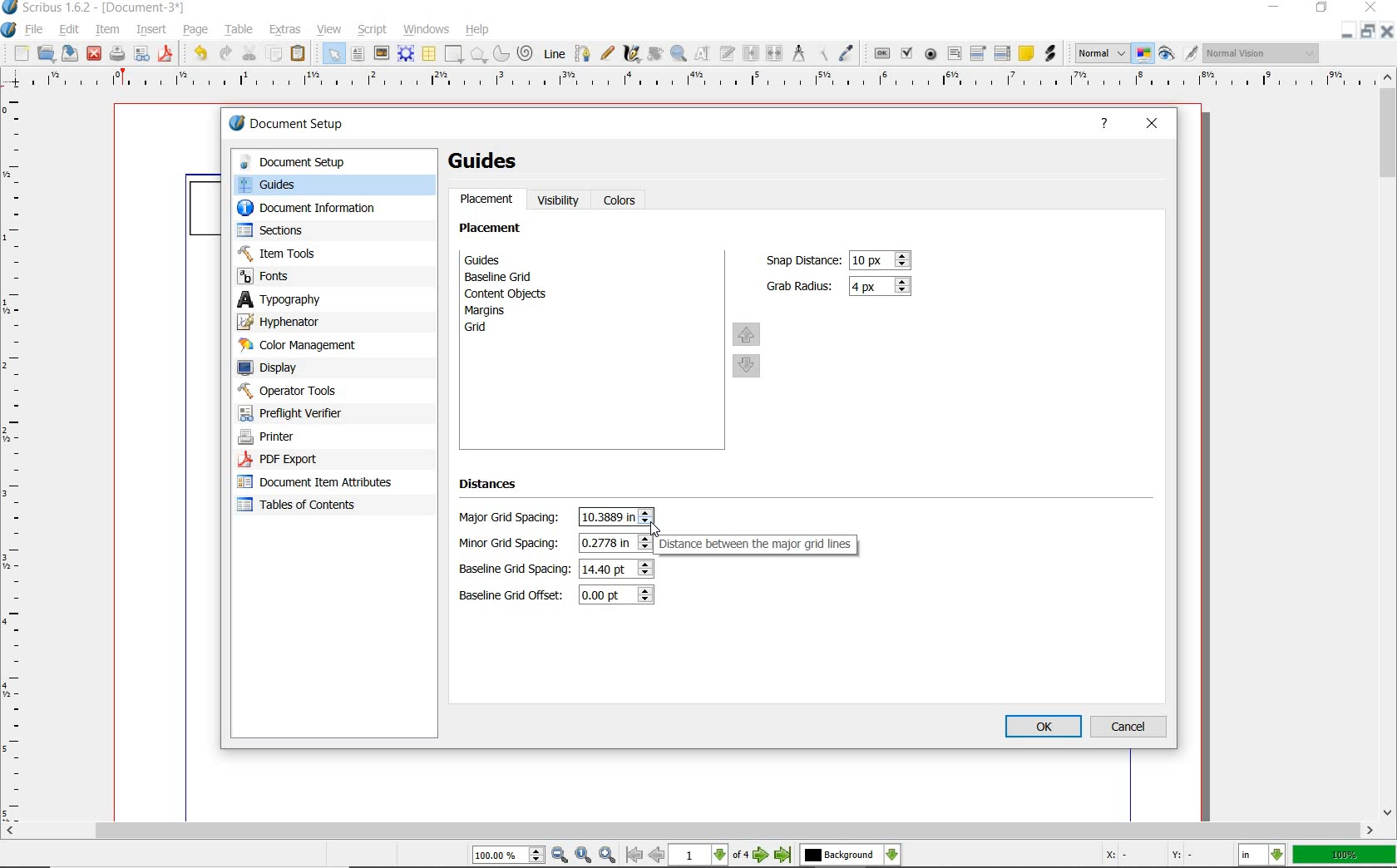  Describe the element at coordinates (322, 346) in the screenshot. I see `color management` at that location.